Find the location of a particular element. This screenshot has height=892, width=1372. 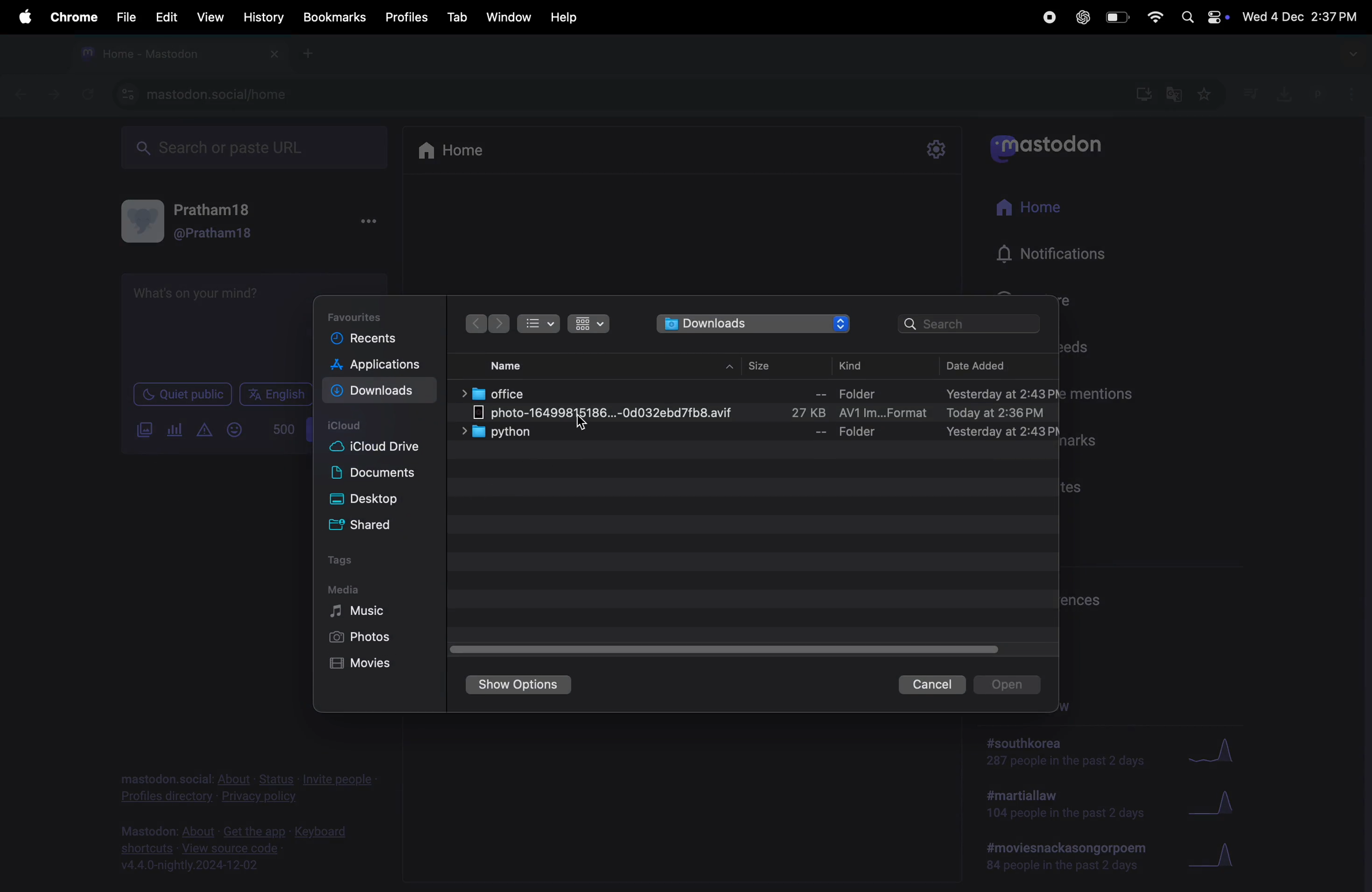

Files is located at coordinates (124, 16).